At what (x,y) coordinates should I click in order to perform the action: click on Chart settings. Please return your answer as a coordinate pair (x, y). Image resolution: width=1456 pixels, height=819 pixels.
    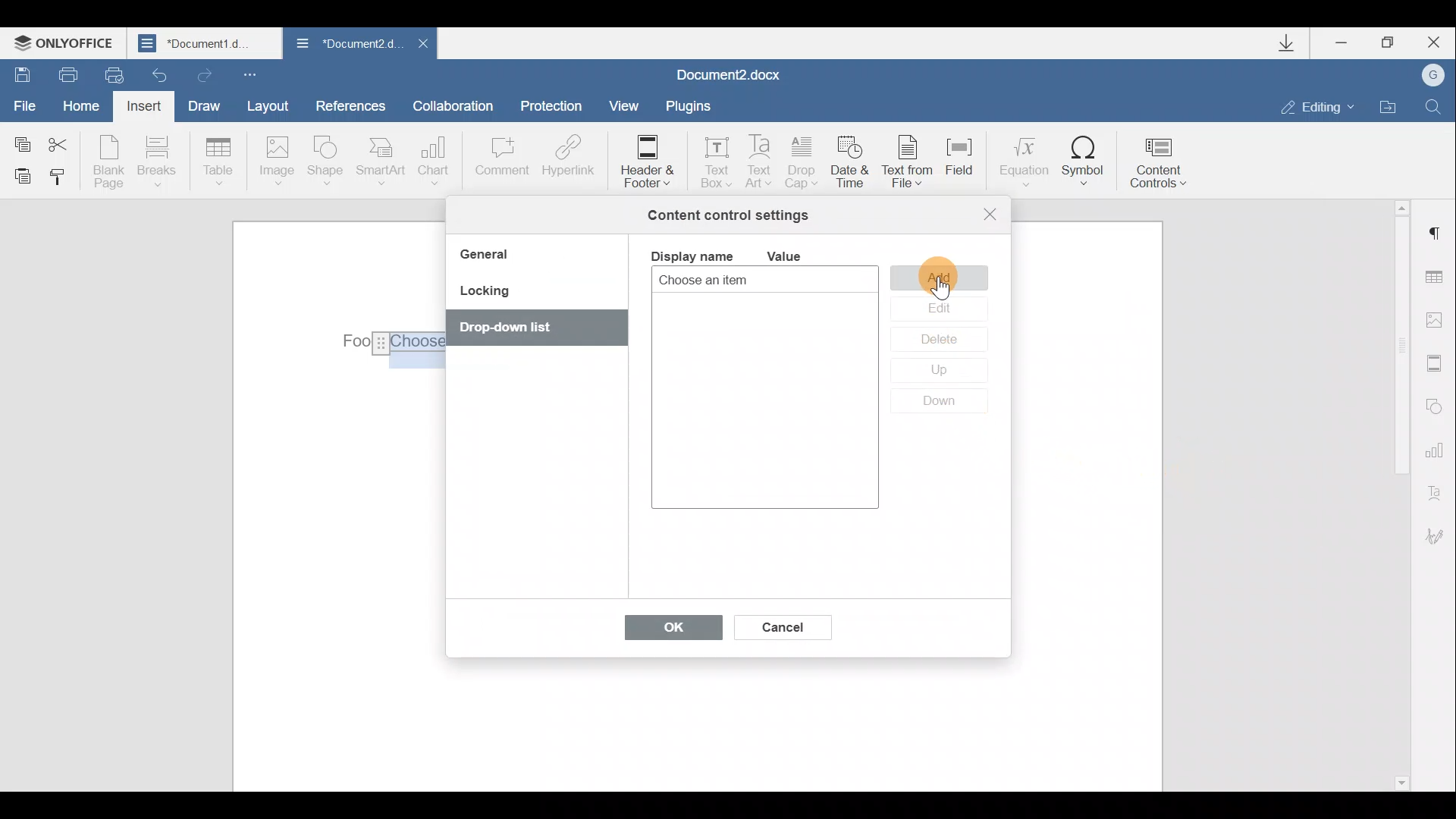
    Looking at the image, I should click on (1437, 448).